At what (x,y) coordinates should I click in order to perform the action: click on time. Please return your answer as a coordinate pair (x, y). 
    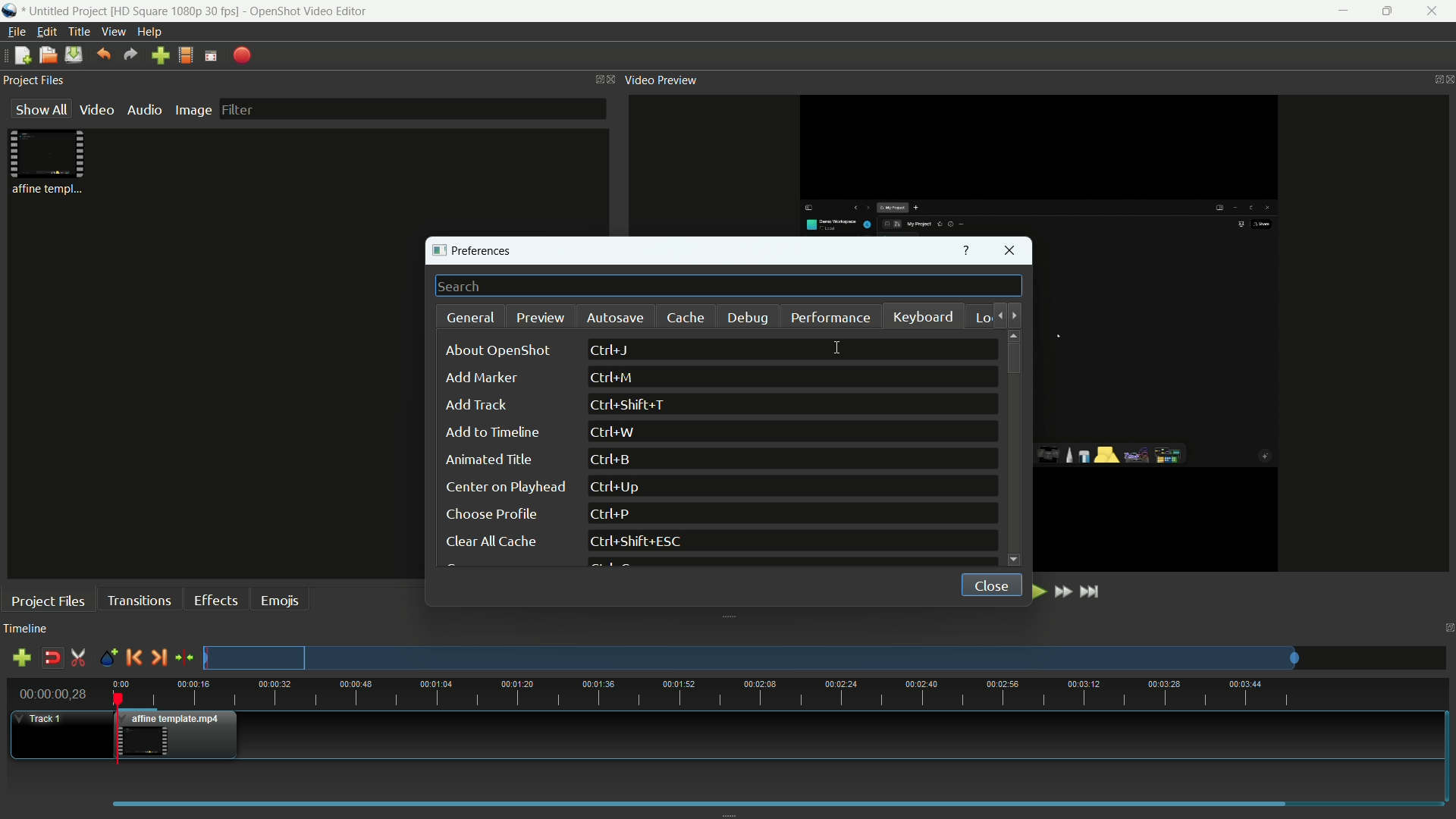
    Looking at the image, I should click on (780, 694).